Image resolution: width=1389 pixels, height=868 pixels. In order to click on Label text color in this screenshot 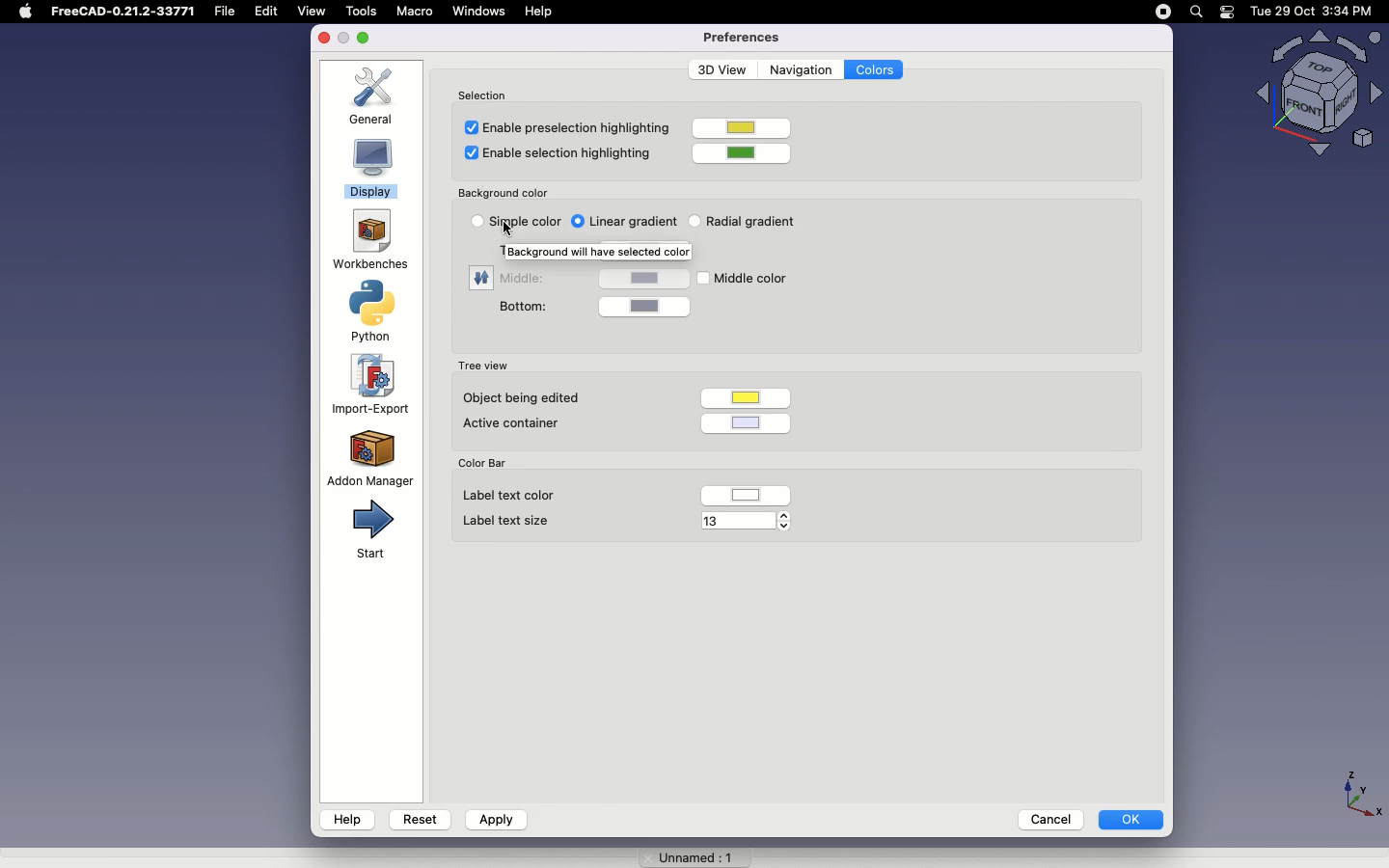, I will do `click(514, 496)`.